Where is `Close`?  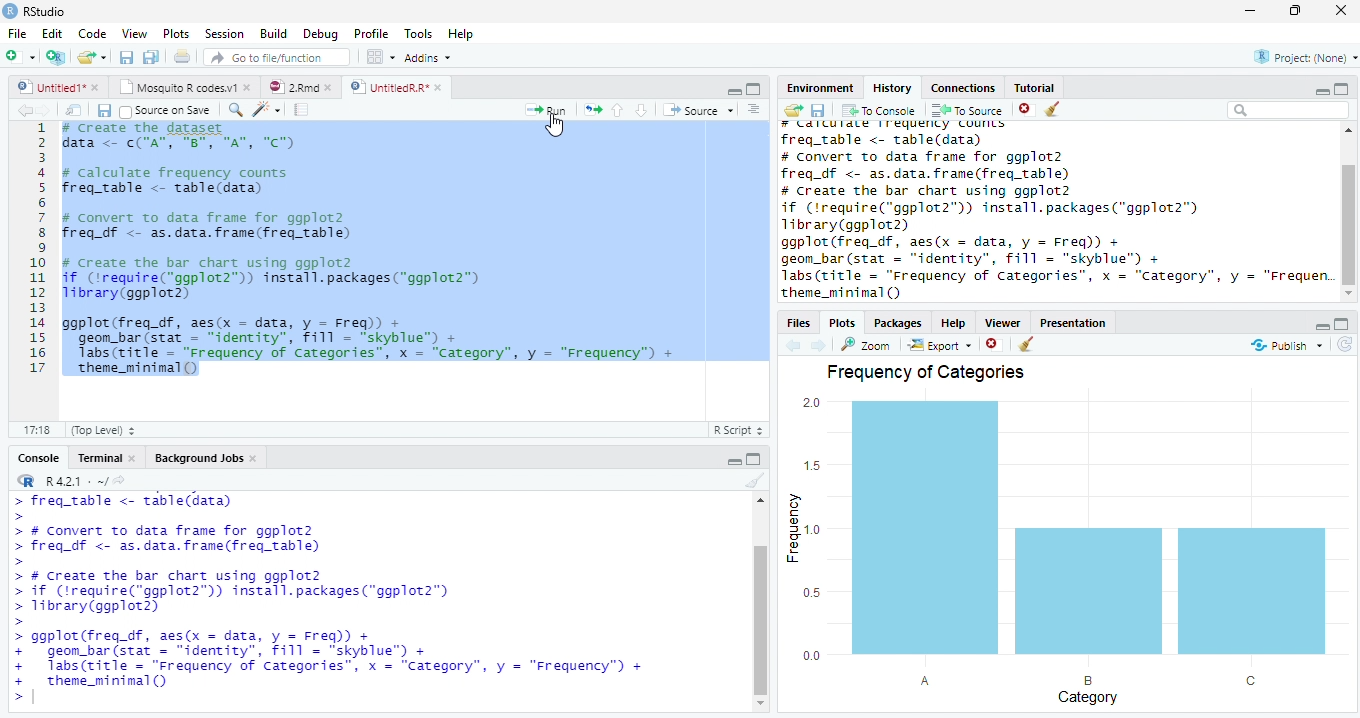 Close is located at coordinates (1340, 11).